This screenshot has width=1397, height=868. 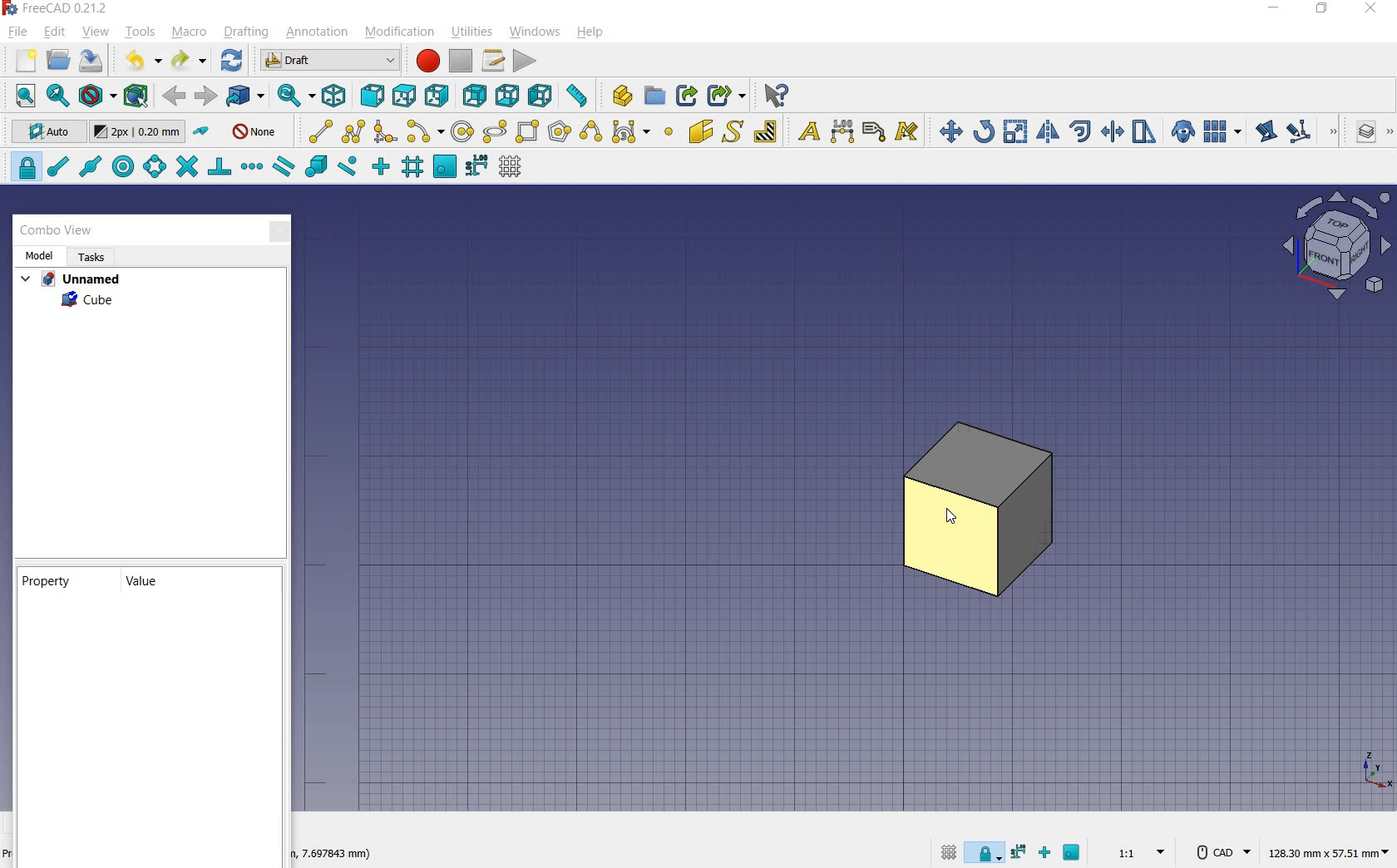 I want to click on facebinder, so click(x=699, y=131).